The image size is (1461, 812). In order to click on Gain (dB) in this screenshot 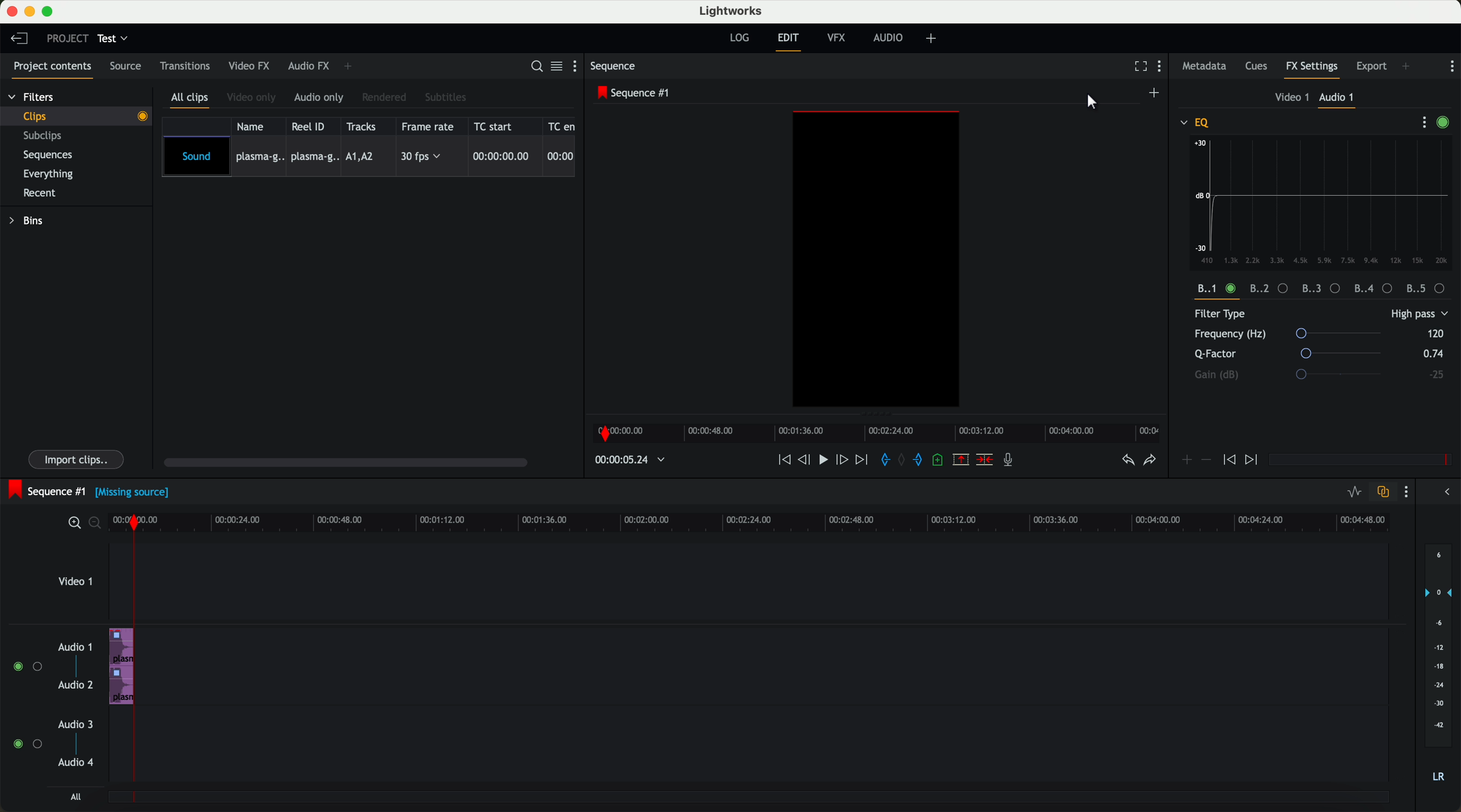, I will do `click(1304, 374)`.